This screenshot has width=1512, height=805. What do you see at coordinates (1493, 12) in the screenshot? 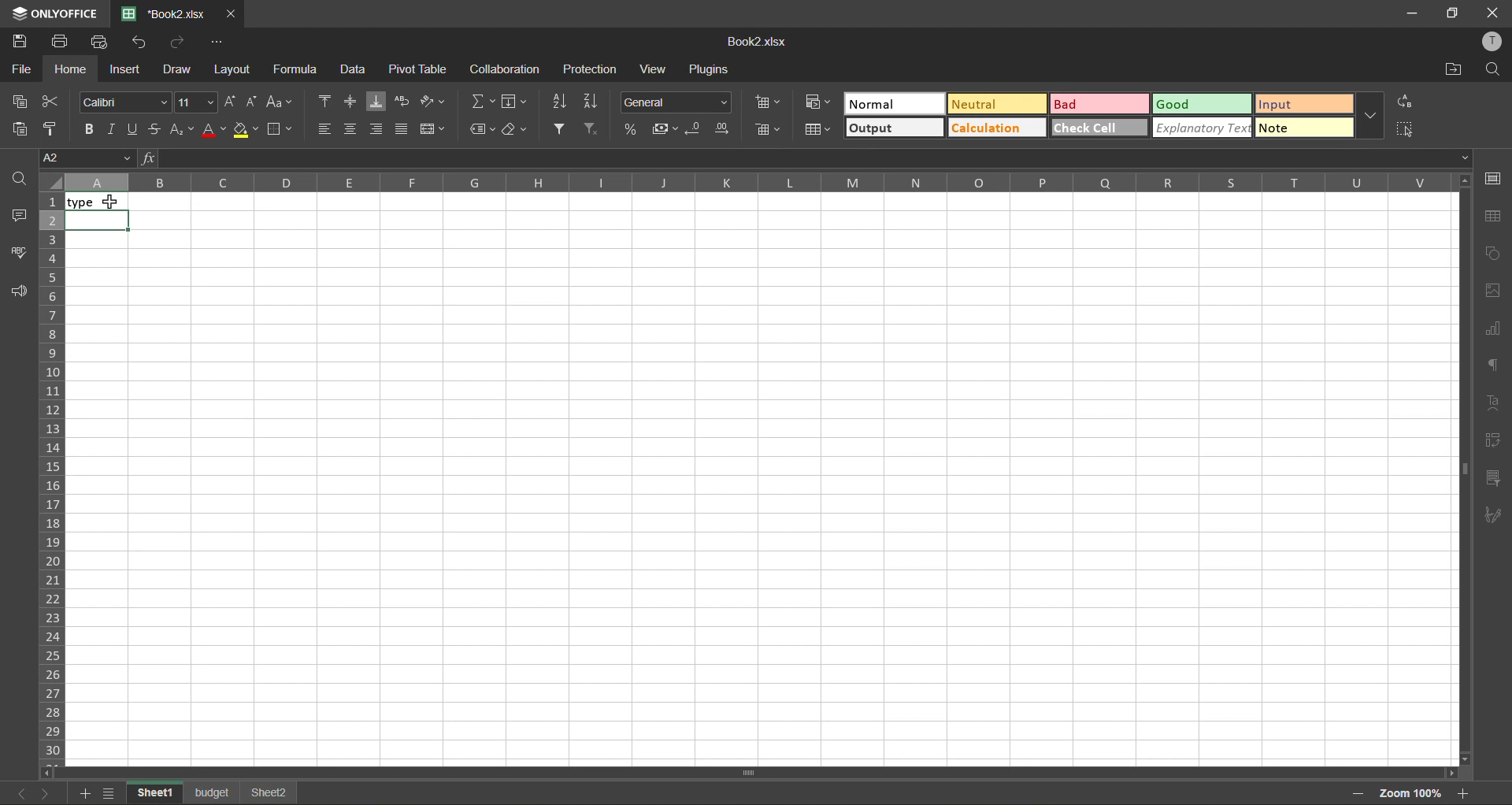
I see `close` at bounding box center [1493, 12].